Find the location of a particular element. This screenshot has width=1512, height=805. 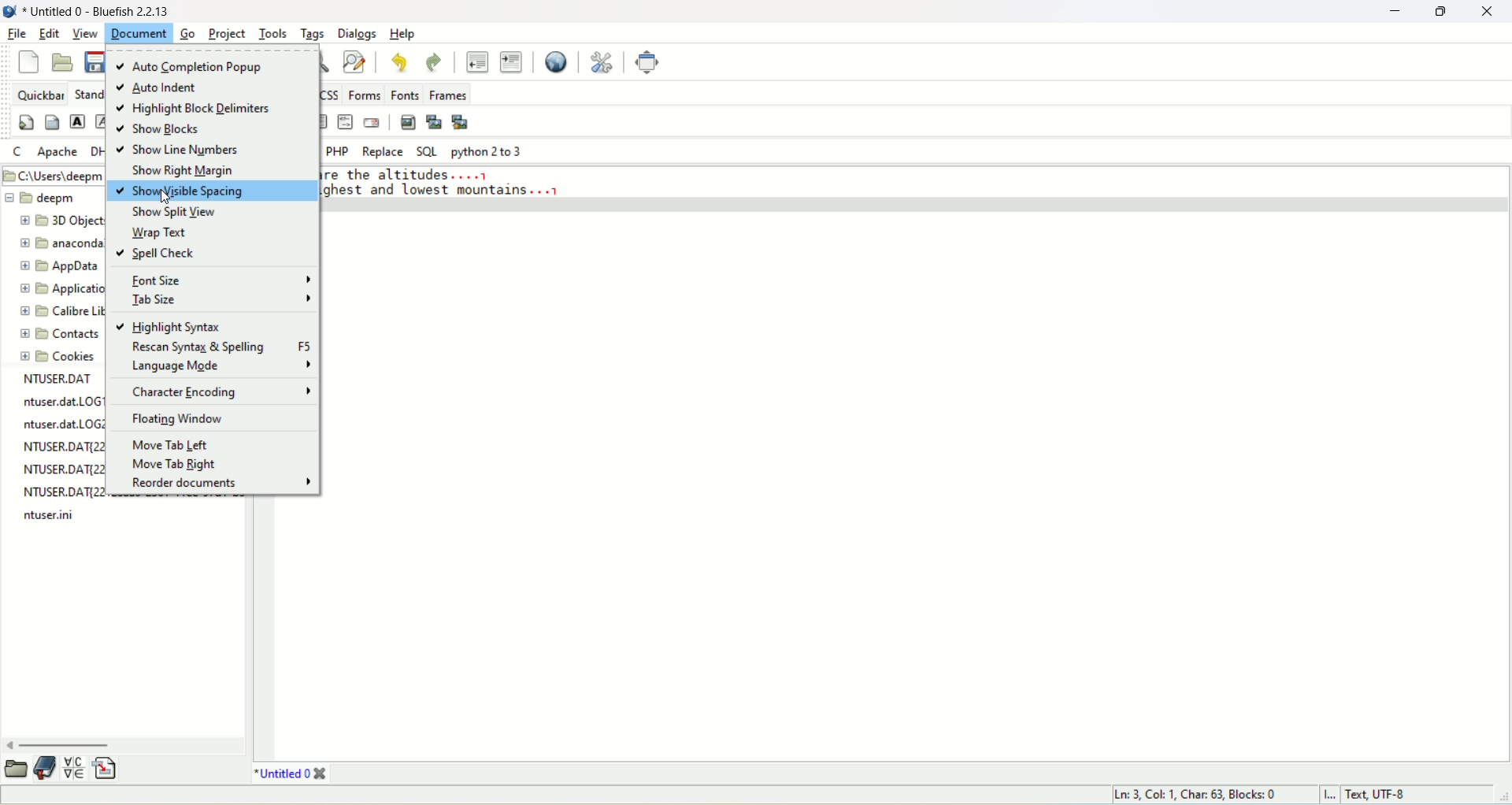

horizontal scroll bar is located at coordinates (124, 744).